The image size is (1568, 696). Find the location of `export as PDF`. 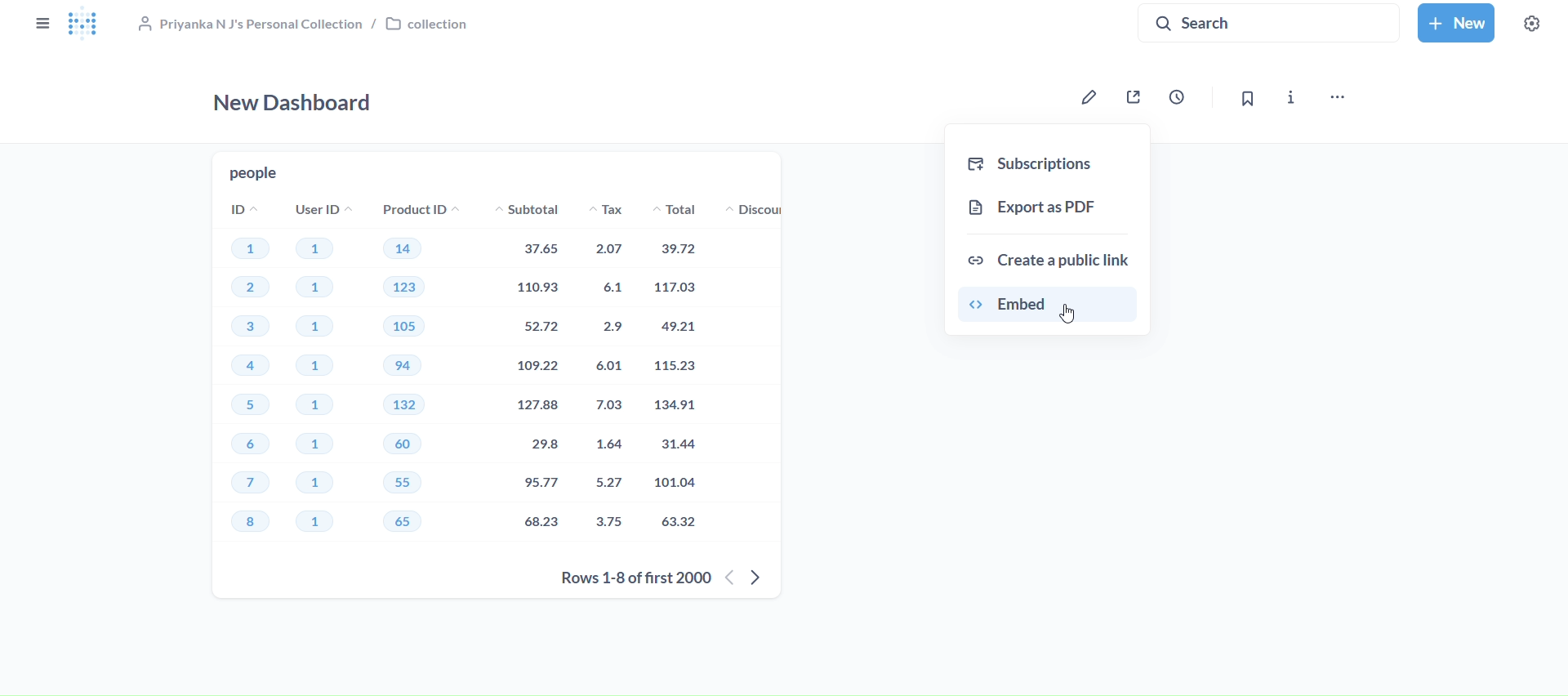

export as PDF is located at coordinates (1046, 207).